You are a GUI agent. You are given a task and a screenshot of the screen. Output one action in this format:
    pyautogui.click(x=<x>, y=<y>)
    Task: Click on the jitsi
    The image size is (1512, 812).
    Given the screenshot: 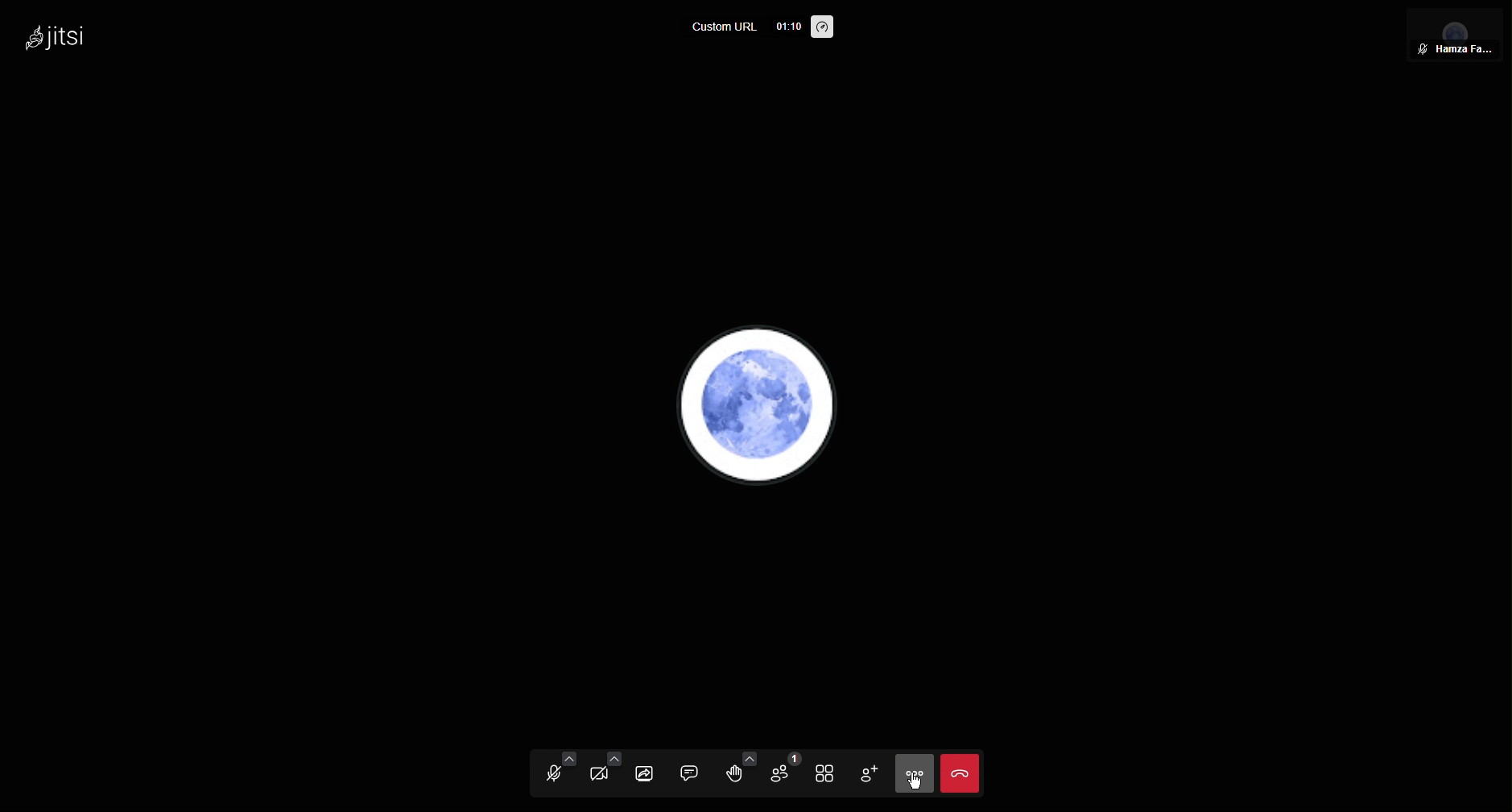 What is the action you would take?
    pyautogui.click(x=52, y=34)
    